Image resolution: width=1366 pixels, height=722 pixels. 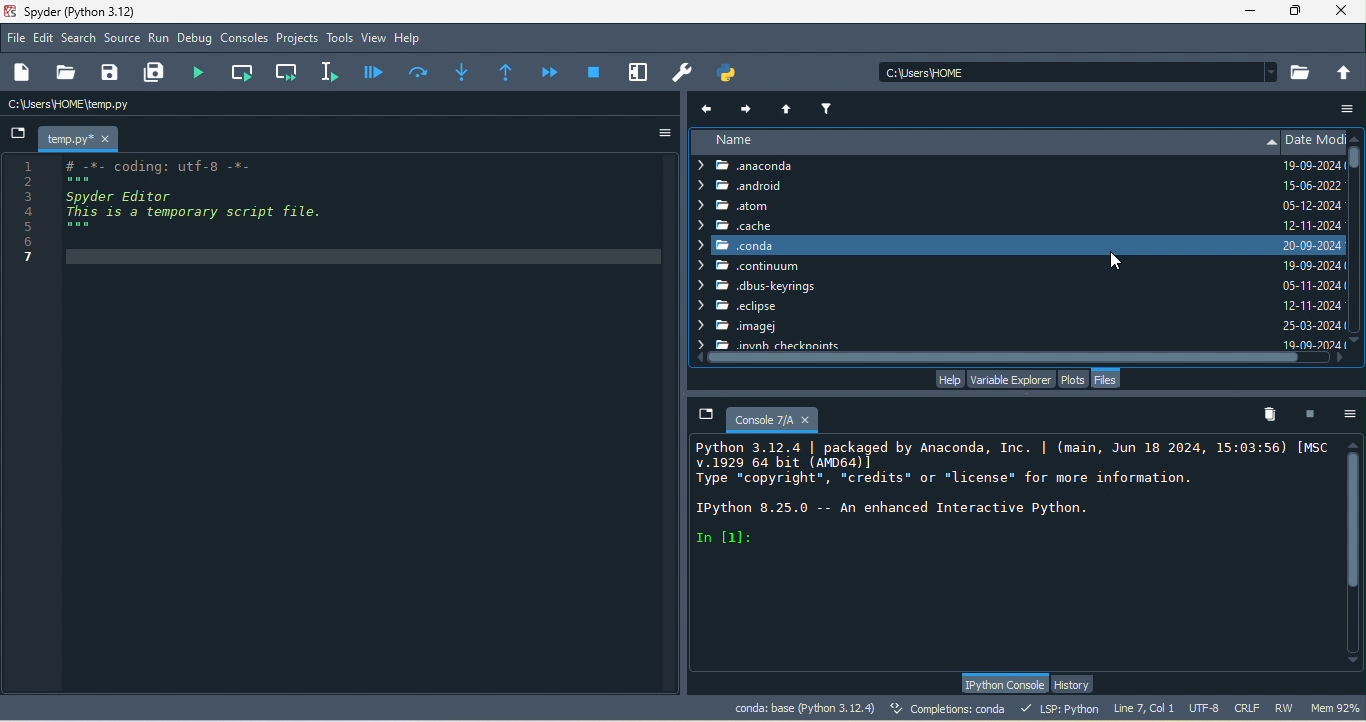 What do you see at coordinates (983, 245) in the screenshot?
I see `conda` at bounding box center [983, 245].